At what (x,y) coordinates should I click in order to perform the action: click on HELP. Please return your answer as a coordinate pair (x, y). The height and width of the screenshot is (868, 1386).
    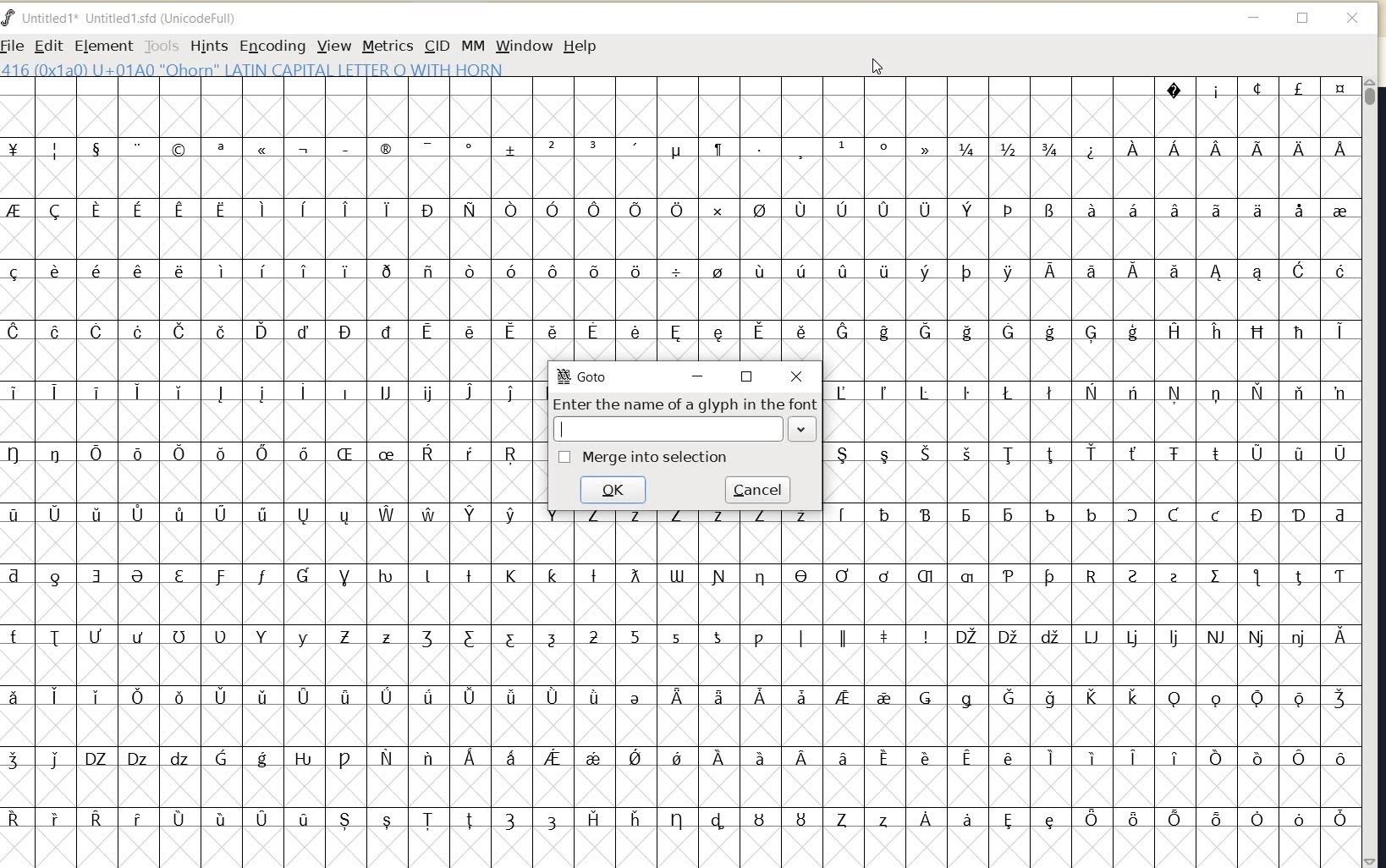
    Looking at the image, I should click on (578, 47).